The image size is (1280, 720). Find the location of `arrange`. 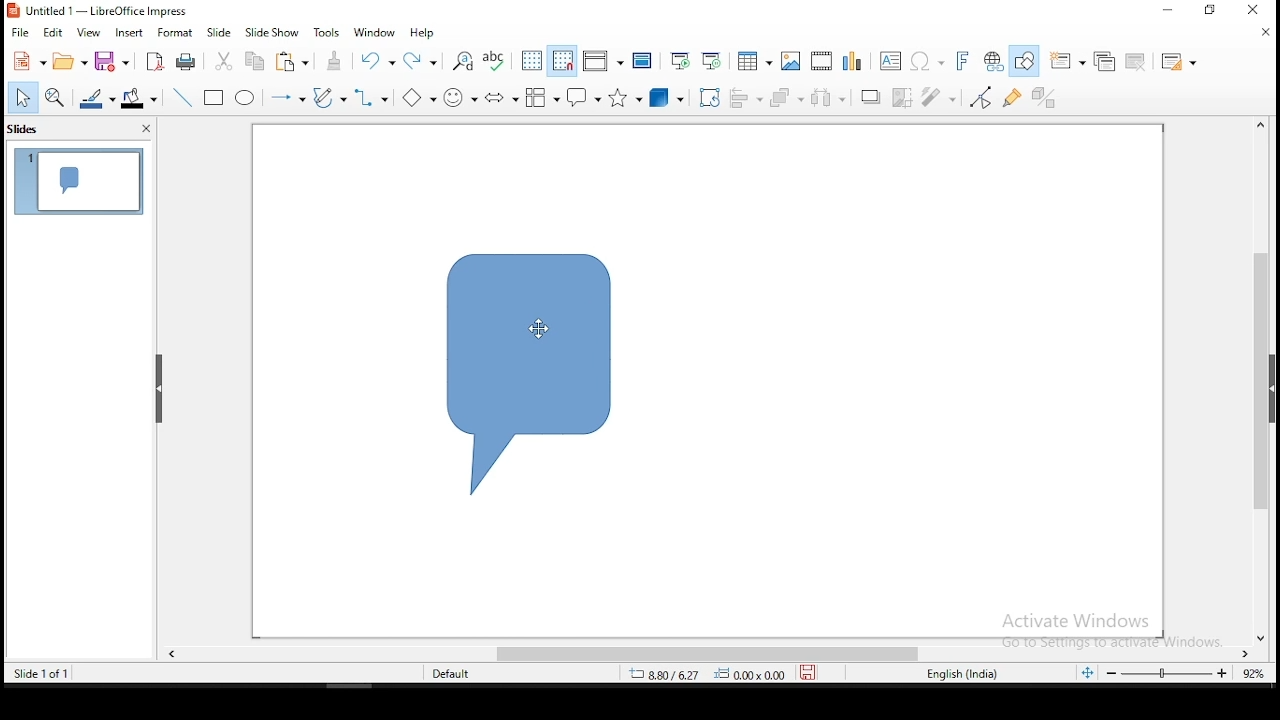

arrange is located at coordinates (784, 96).